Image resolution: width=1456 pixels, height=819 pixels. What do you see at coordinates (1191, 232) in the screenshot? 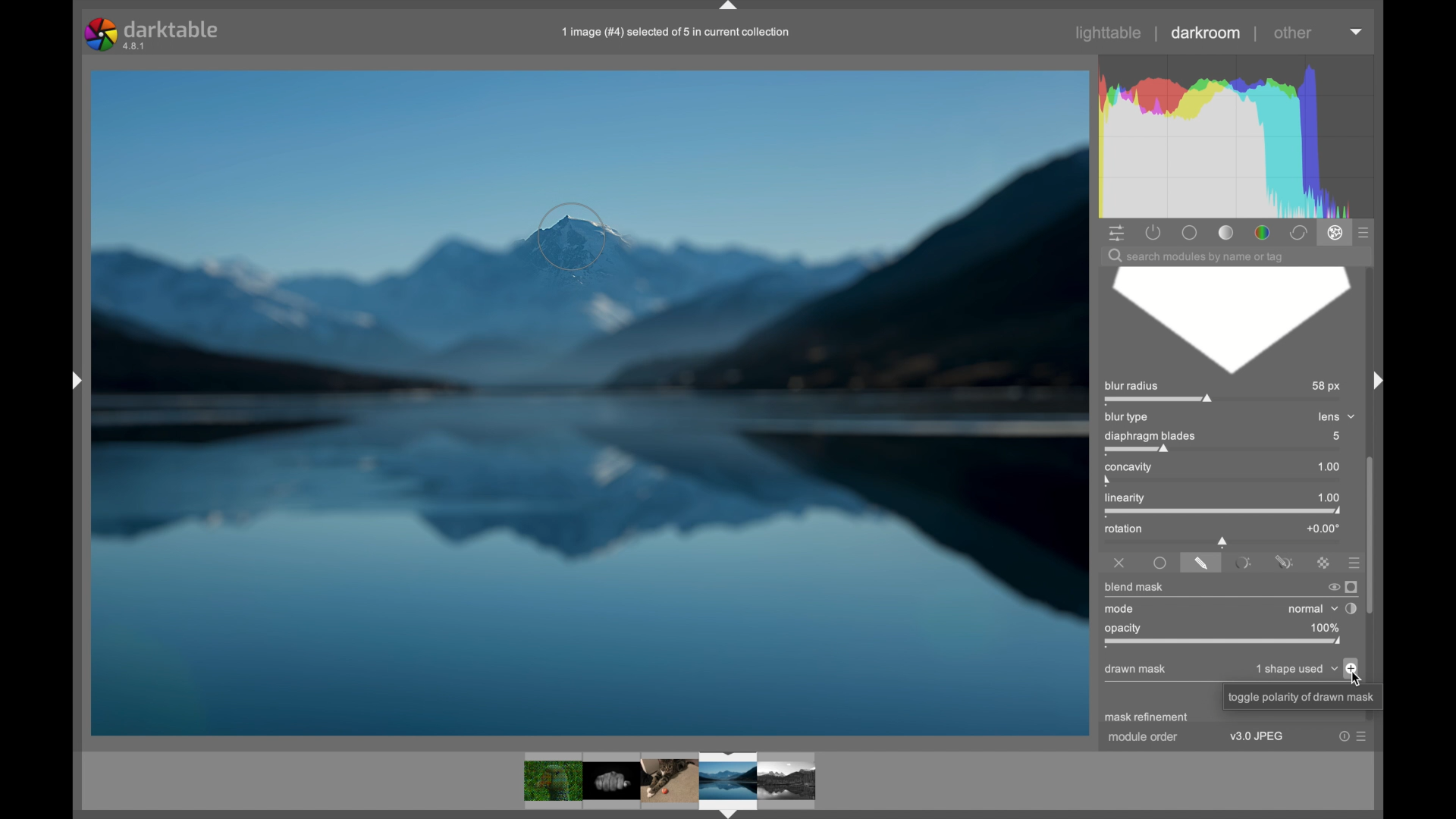
I see `base` at bounding box center [1191, 232].